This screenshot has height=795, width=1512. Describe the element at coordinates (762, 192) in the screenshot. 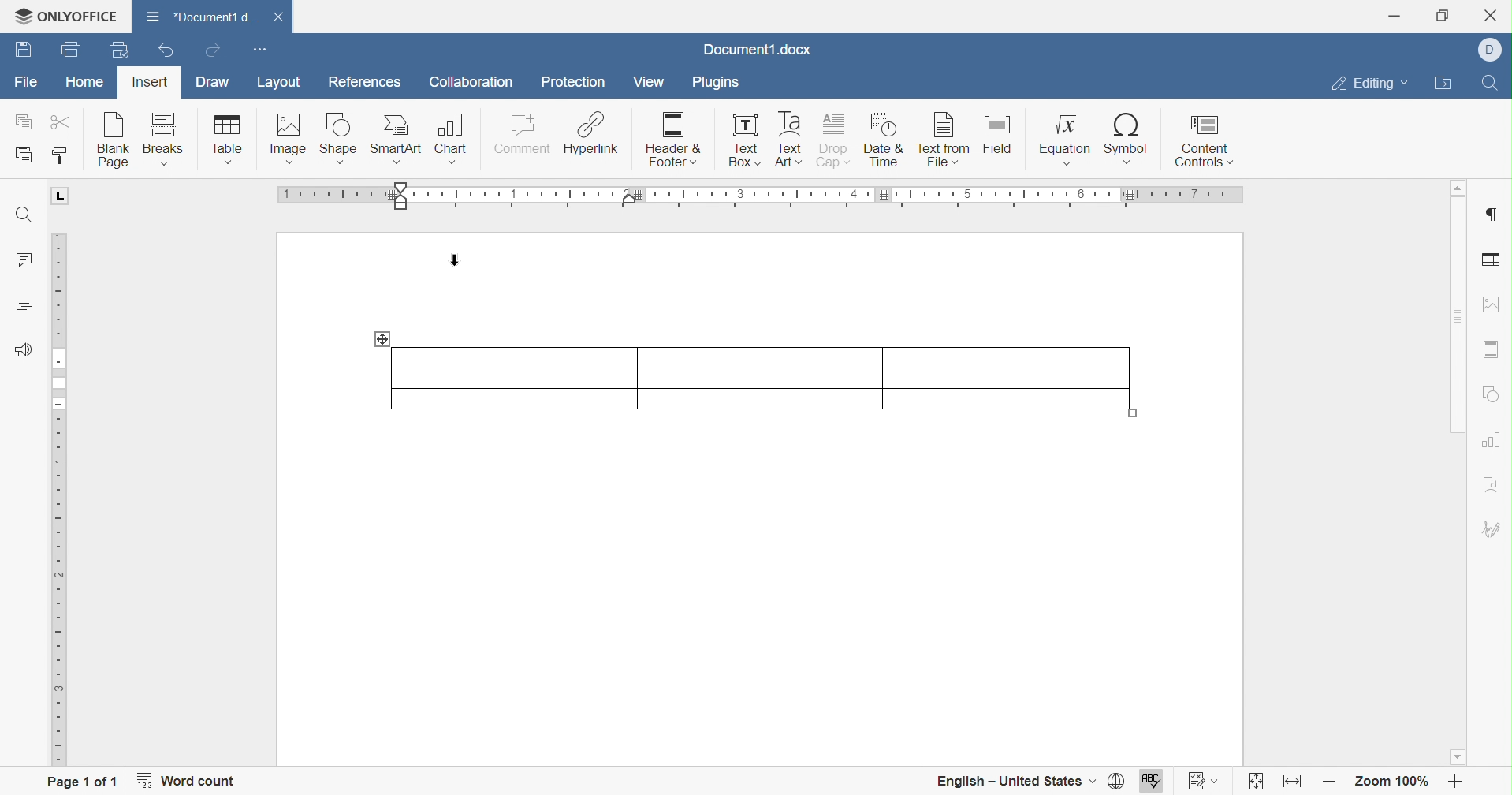

I see `Ruler` at that location.